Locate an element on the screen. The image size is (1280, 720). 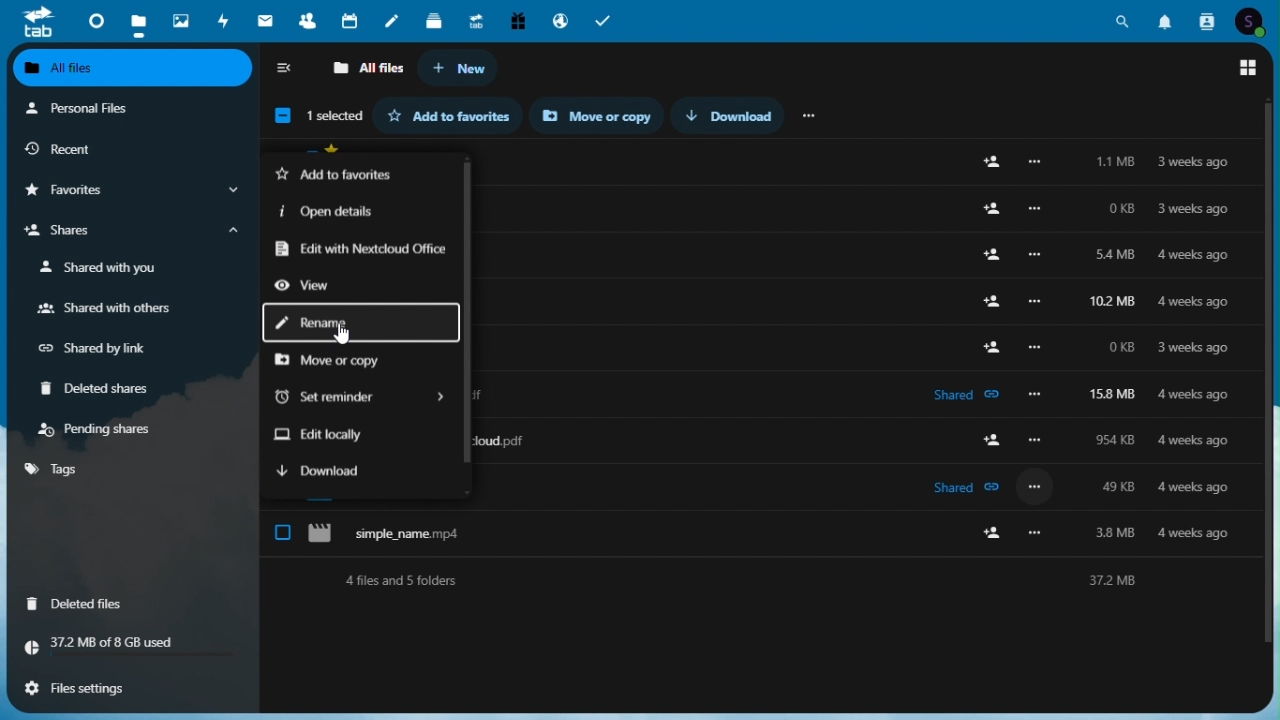
contacts is located at coordinates (307, 20).